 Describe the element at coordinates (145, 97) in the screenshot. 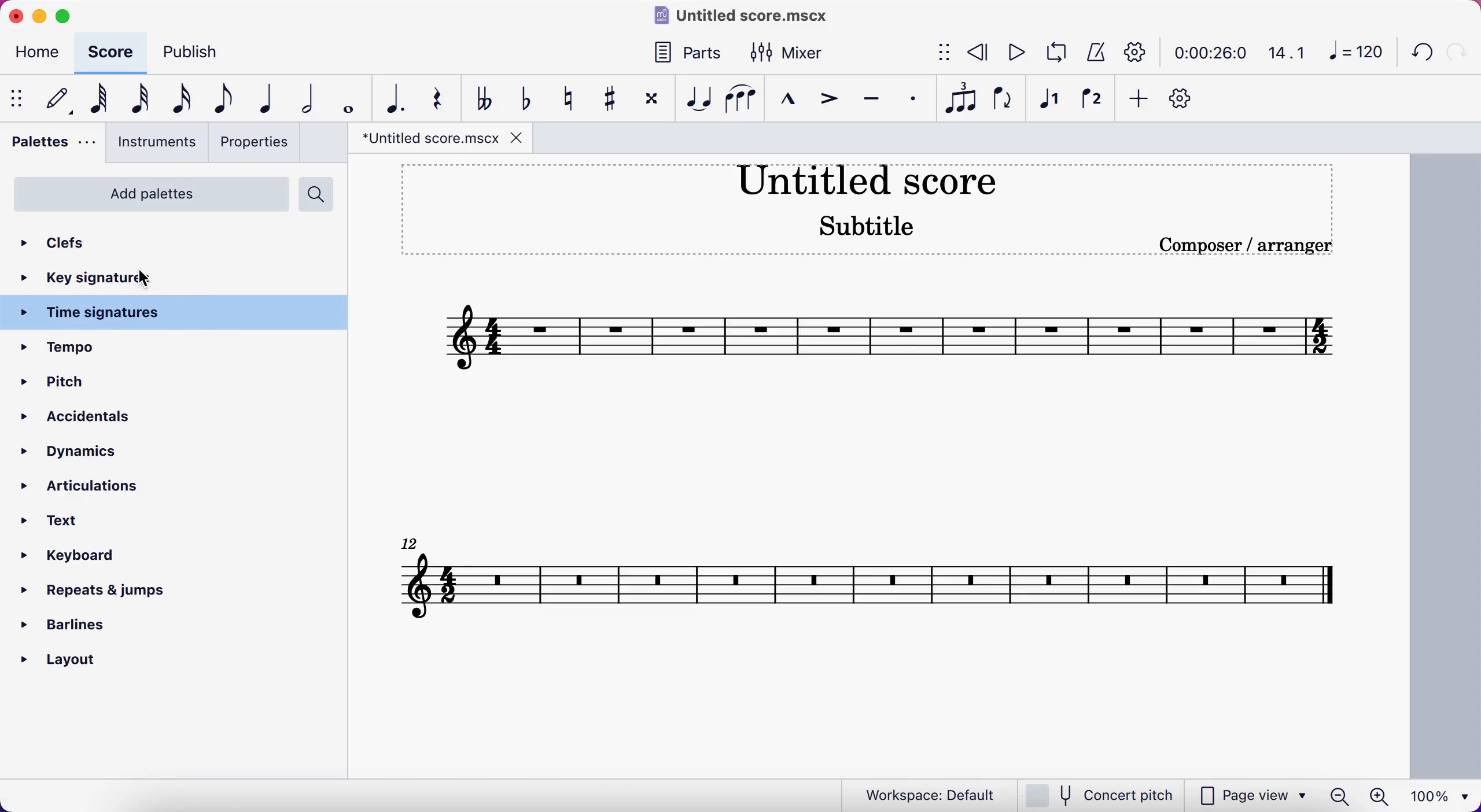

I see `32nd note` at that location.